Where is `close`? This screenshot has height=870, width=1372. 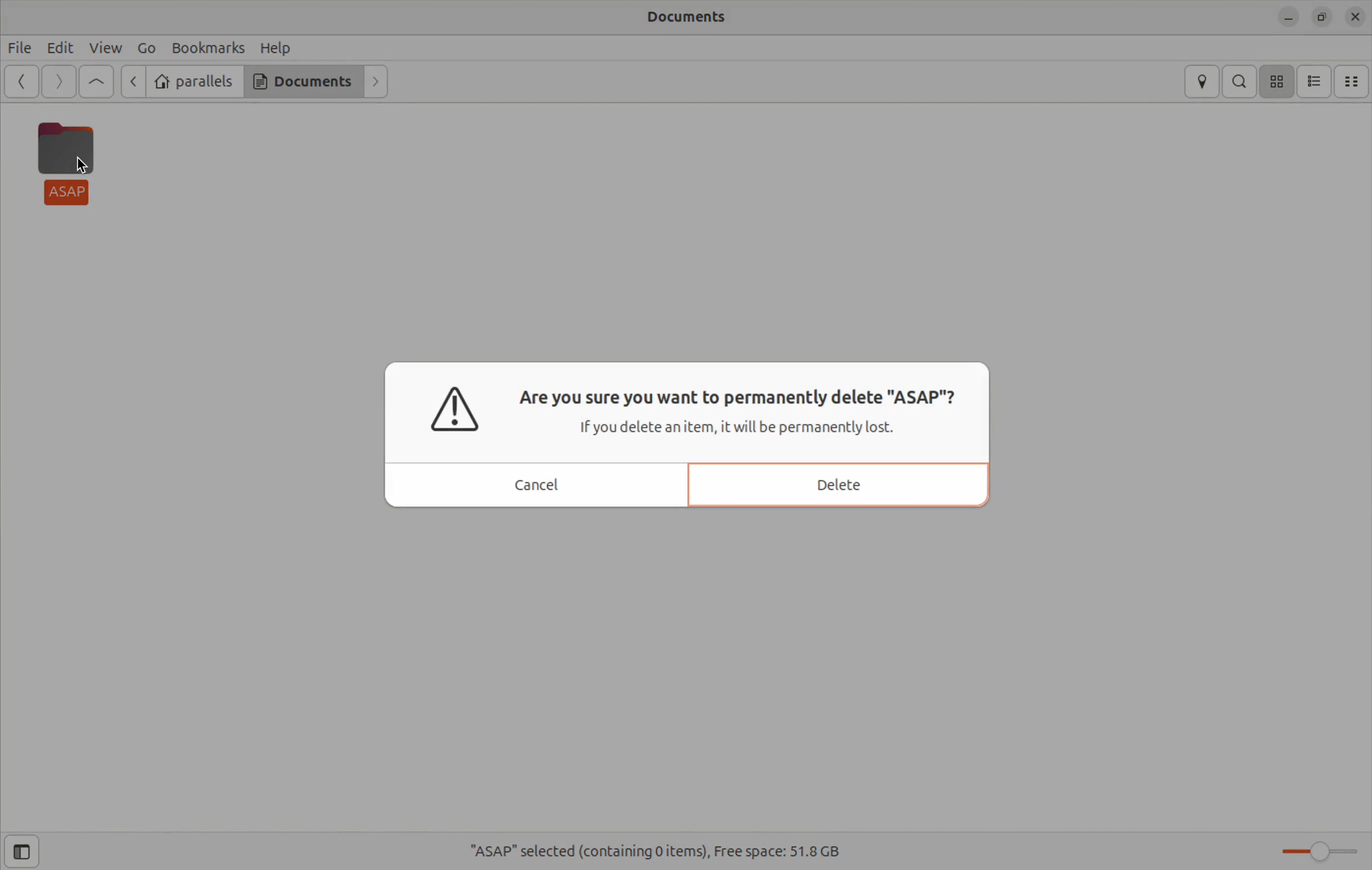 close is located at coordinates (1353, 18).